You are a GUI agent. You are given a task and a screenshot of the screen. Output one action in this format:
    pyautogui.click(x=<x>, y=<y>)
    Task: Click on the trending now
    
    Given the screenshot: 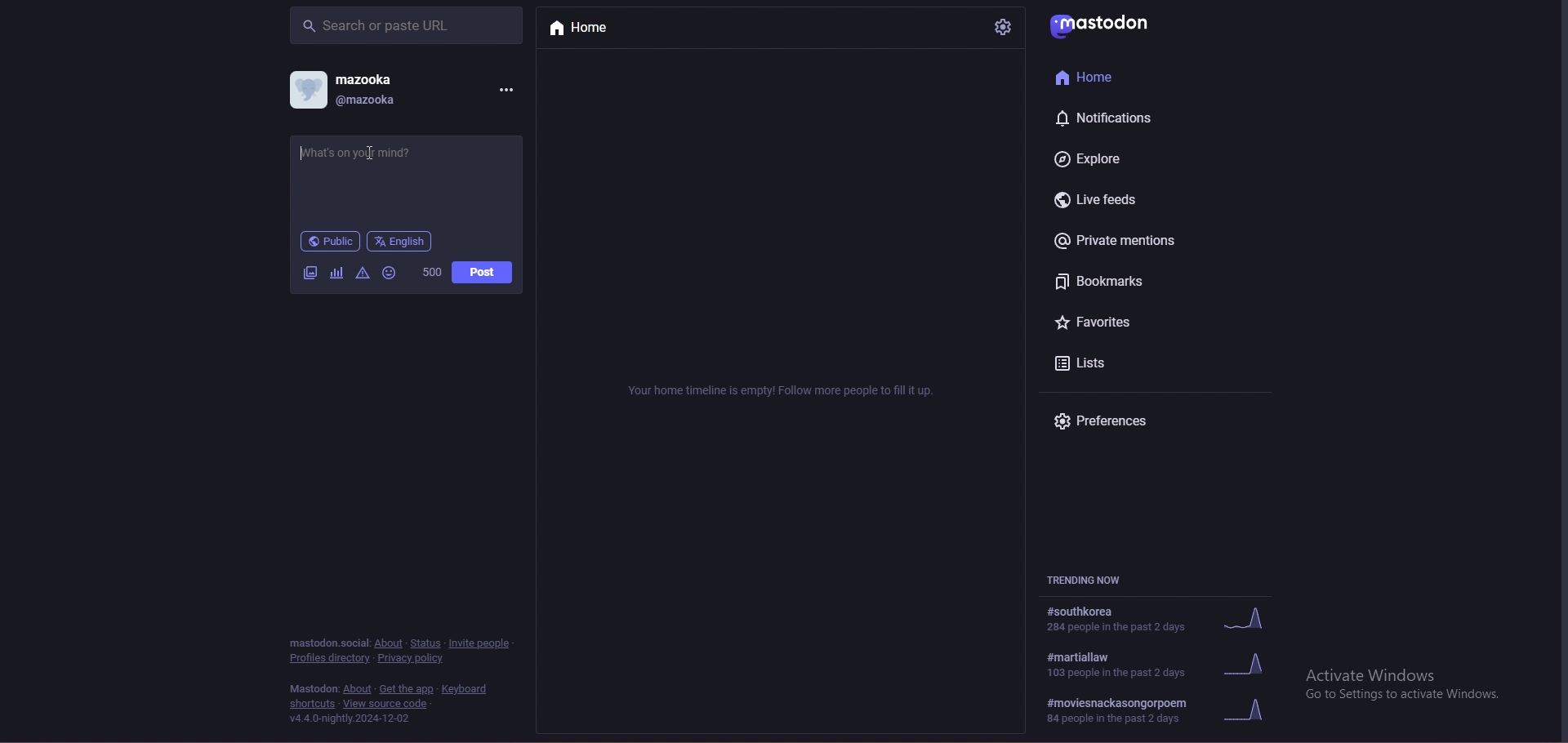 What is the action you would take?
    pyautogui.click(x=1094, y=581)
    